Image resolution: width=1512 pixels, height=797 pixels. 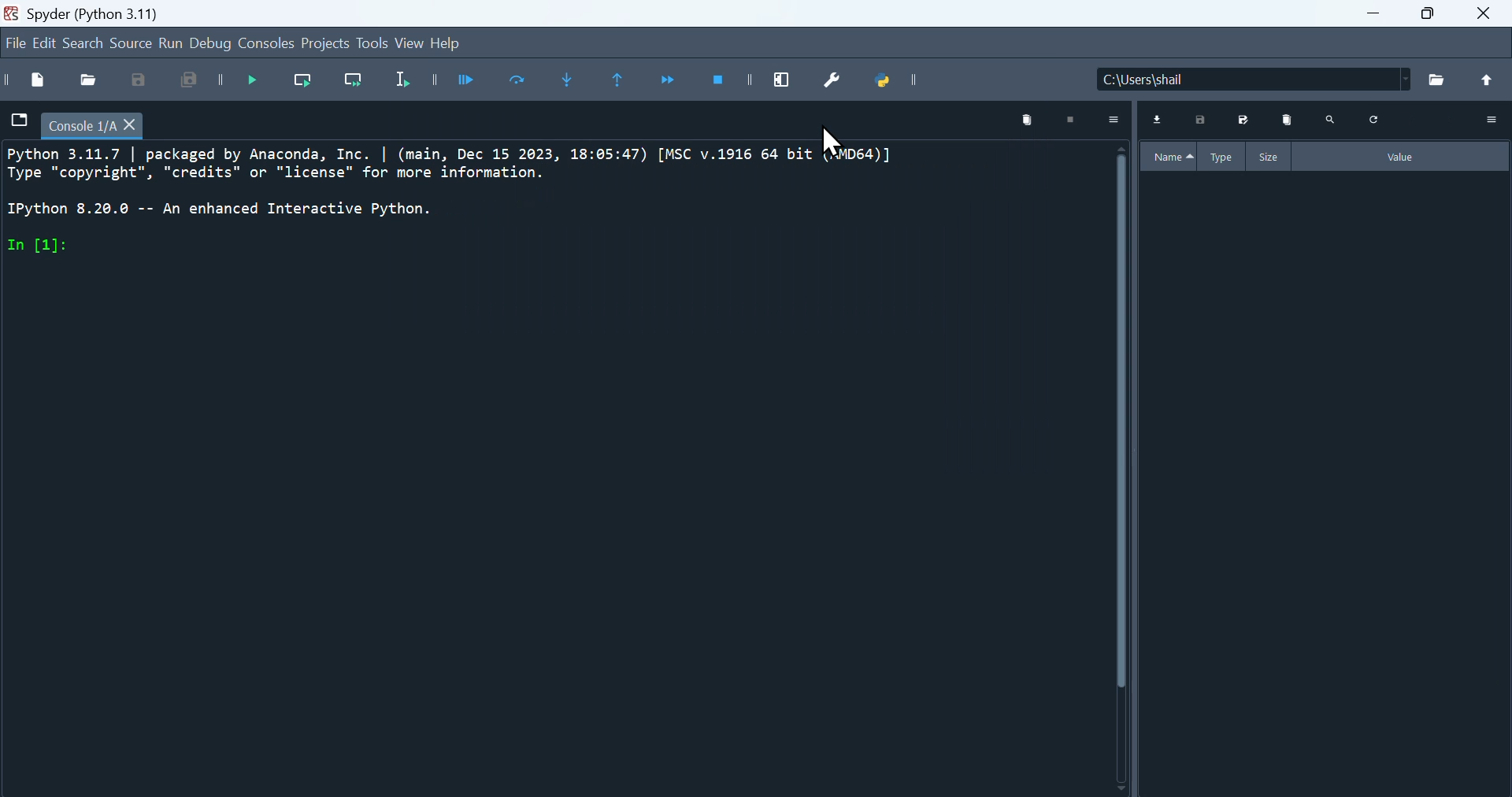 I want to click on , so click(x=13, y=44).